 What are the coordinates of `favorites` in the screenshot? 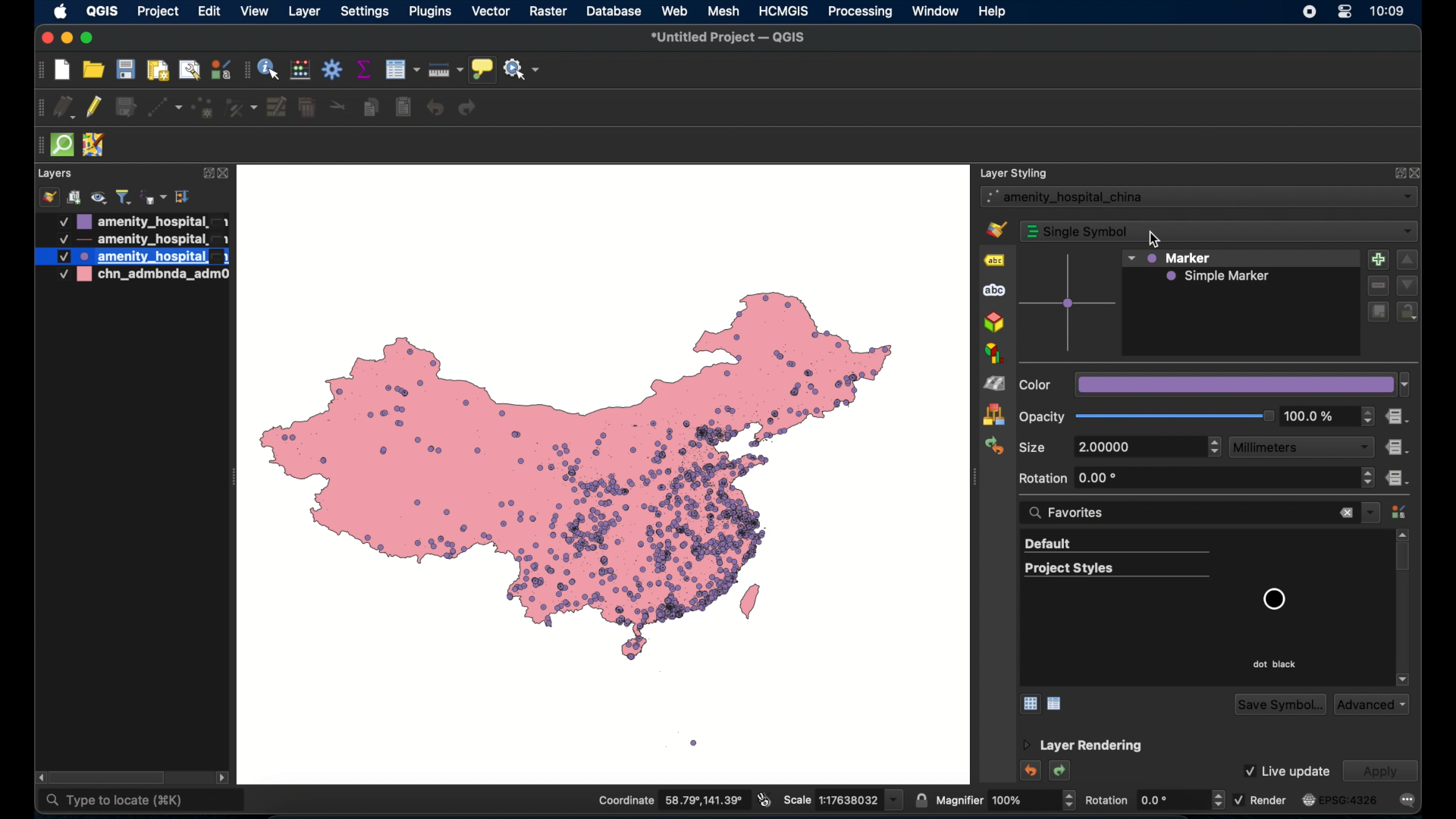 It's located at (1073, 513).